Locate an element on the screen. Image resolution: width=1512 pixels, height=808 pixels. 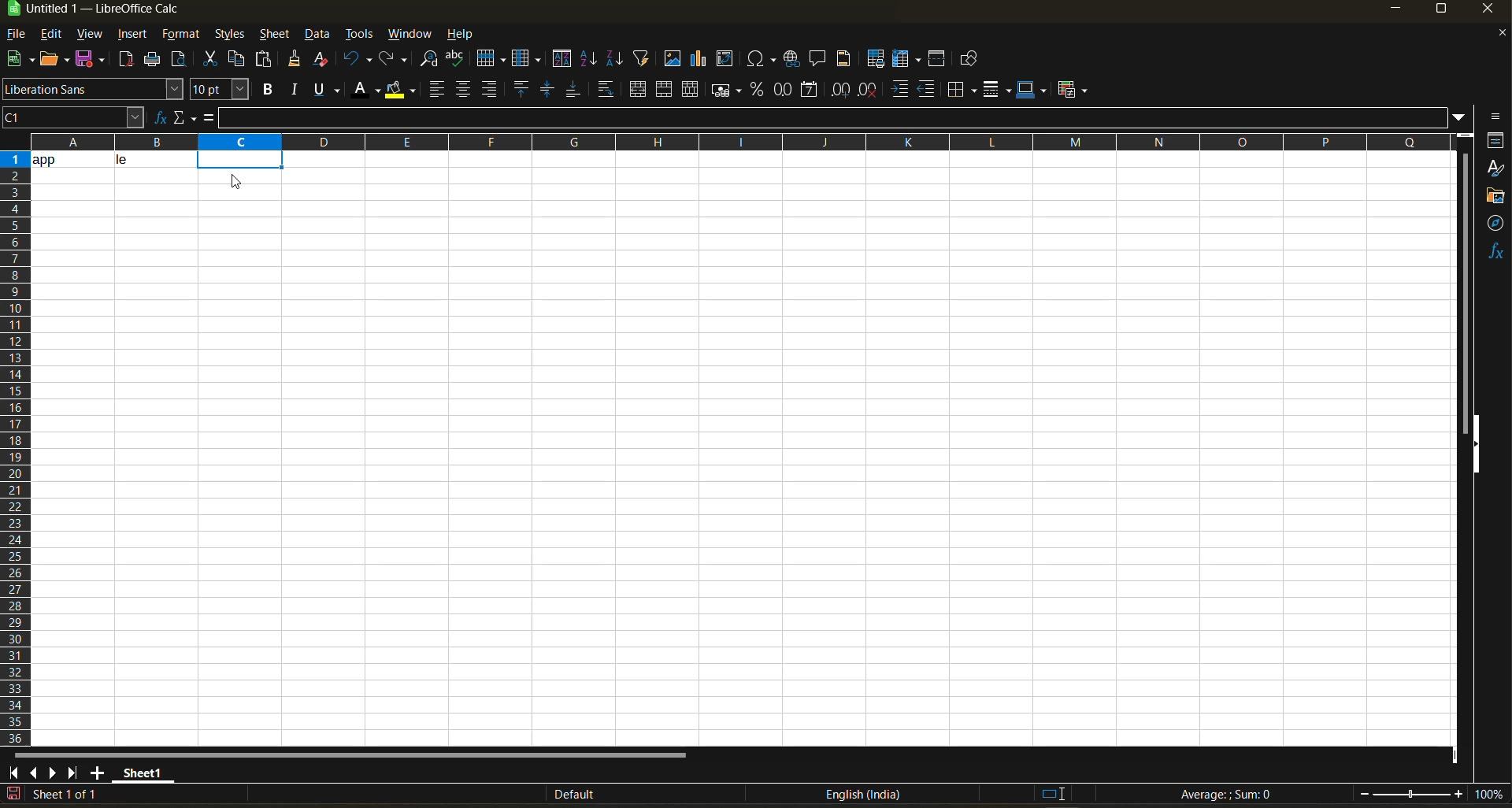
vertical scroll bar is located at coordinates (1465, 282).